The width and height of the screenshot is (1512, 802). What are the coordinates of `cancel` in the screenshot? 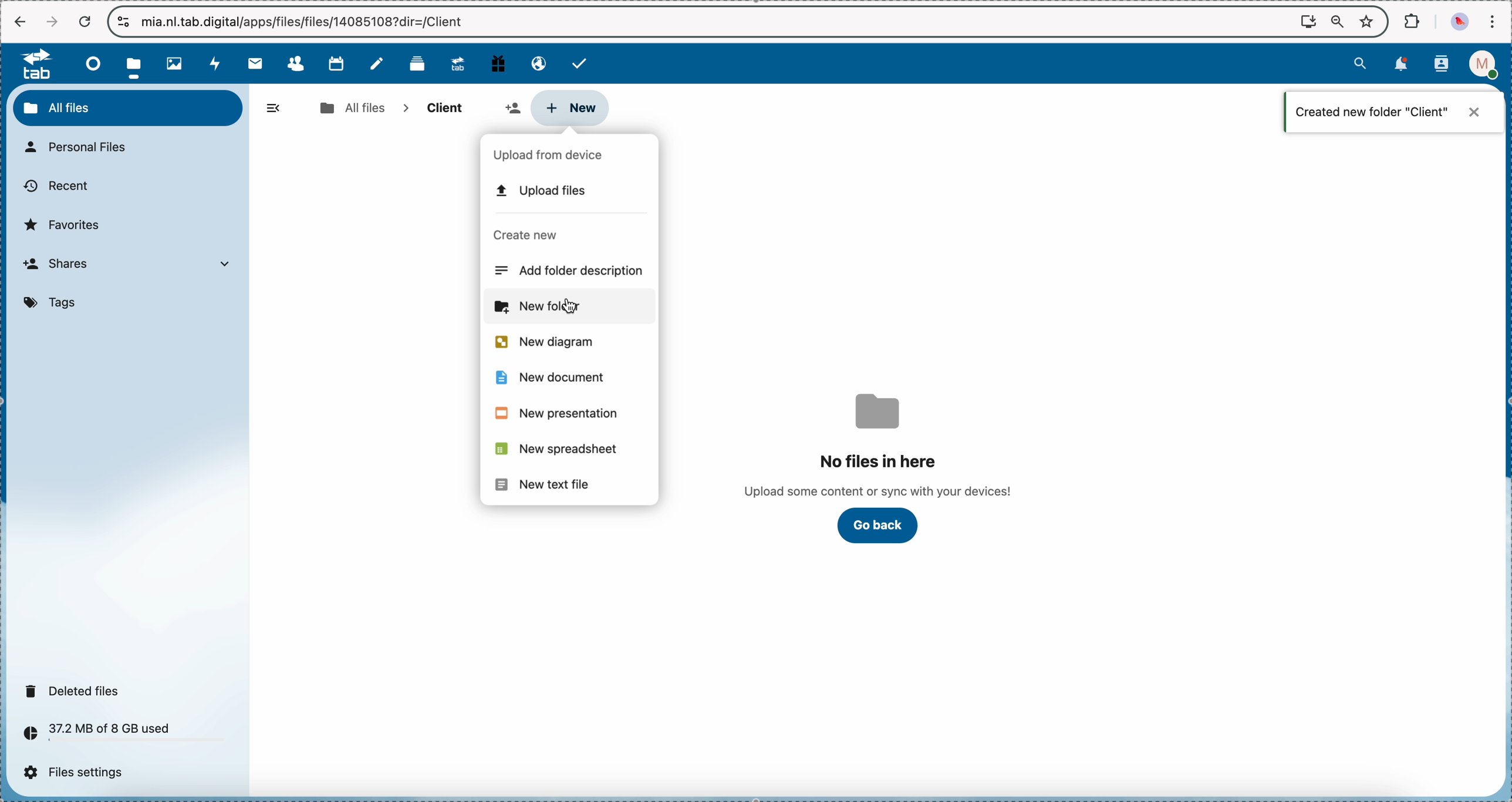 It's located at (84, 22).